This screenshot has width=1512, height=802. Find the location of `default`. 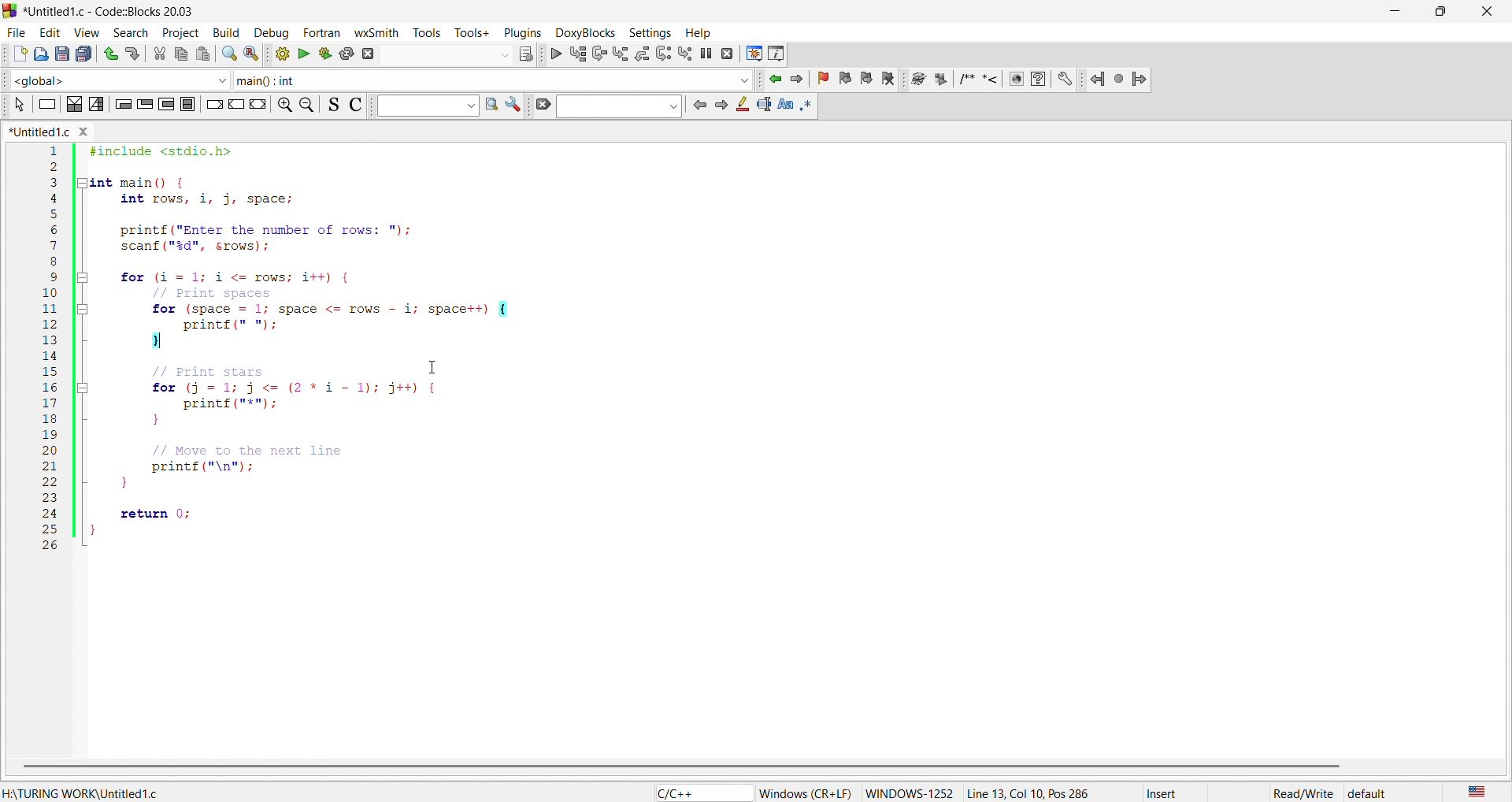

default is located at coordinates (1368, 793).